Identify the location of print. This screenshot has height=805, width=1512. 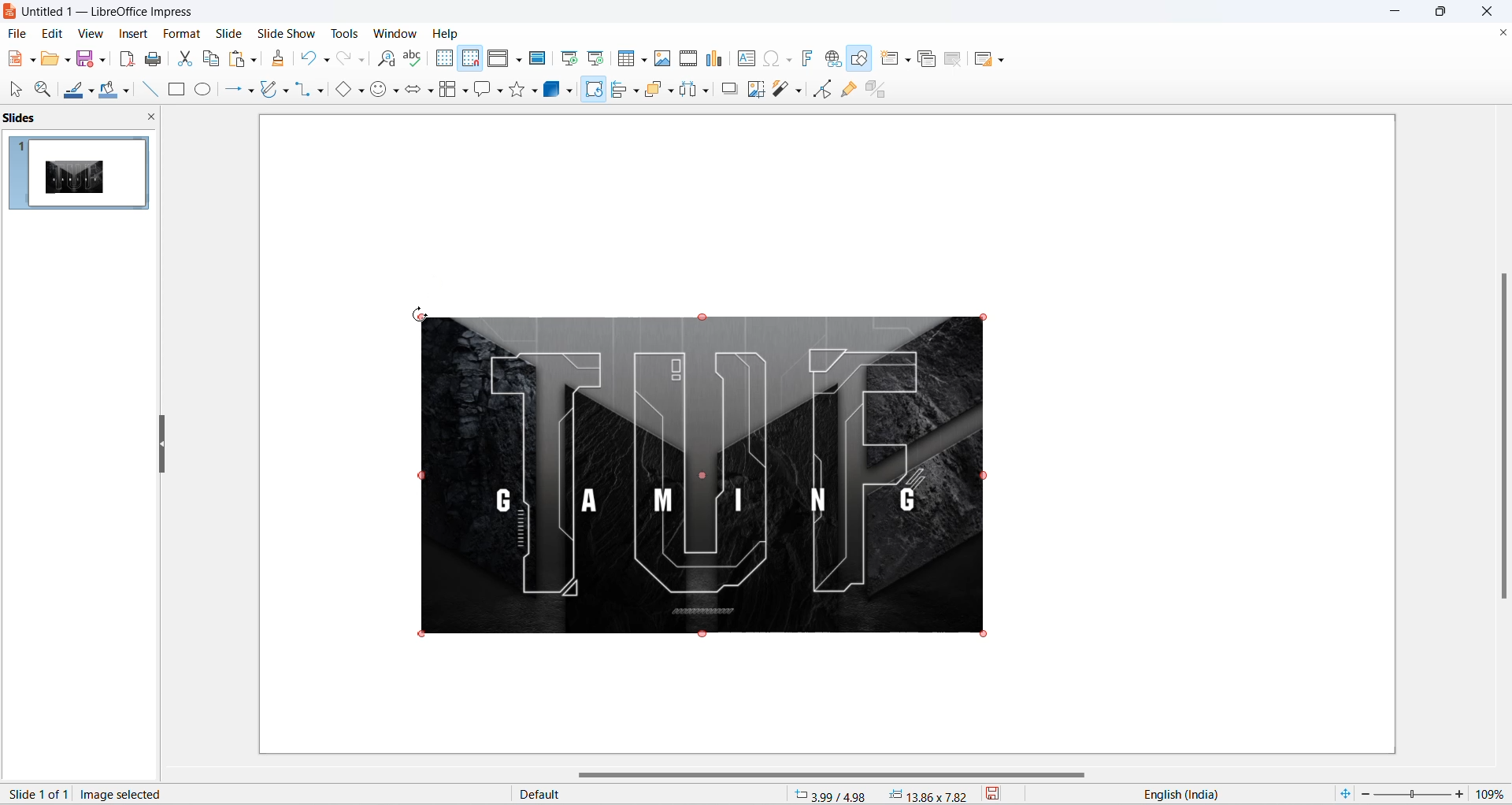
(158, 59).